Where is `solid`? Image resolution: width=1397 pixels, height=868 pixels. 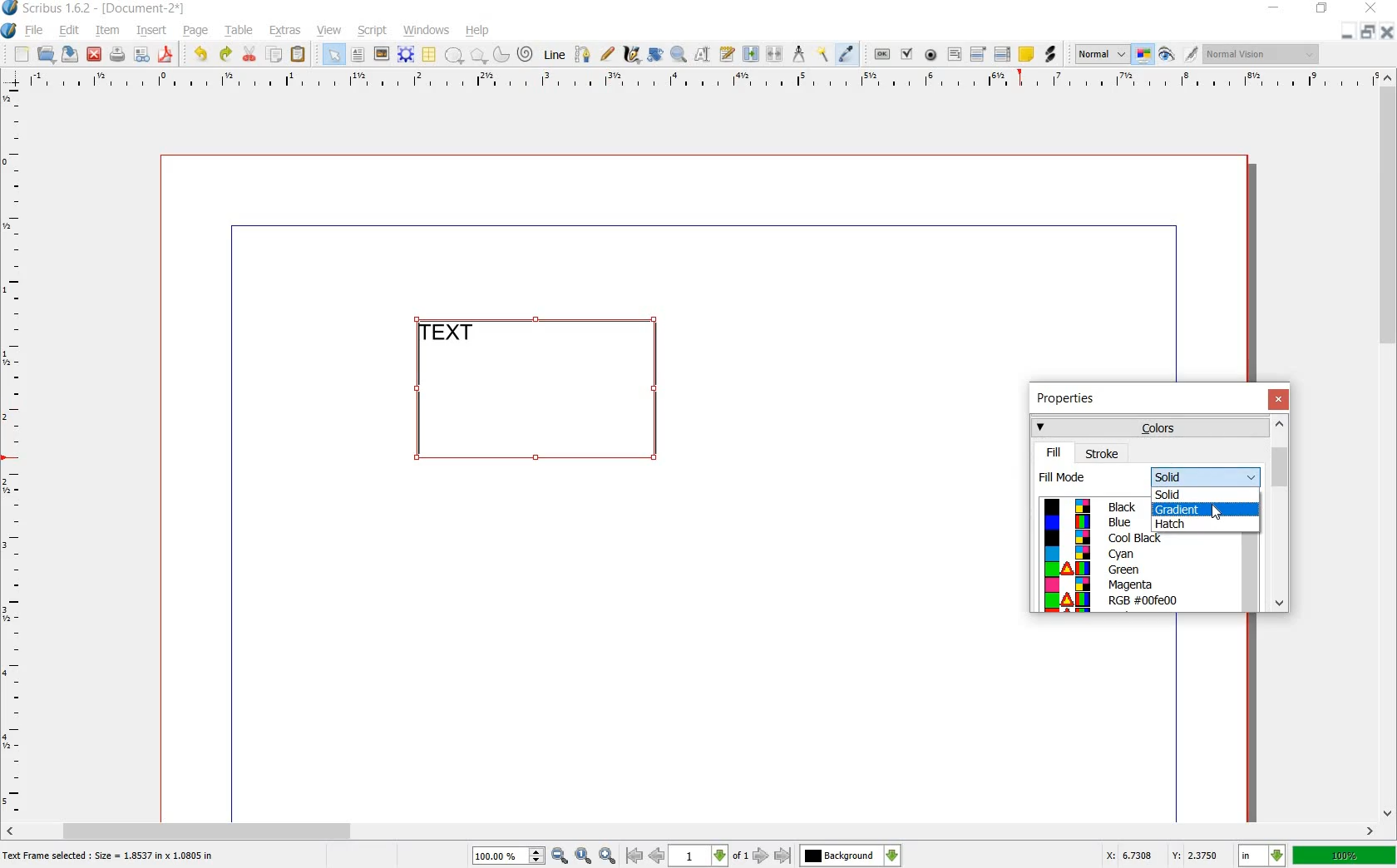
solid is located at coordinates (1177, 494).